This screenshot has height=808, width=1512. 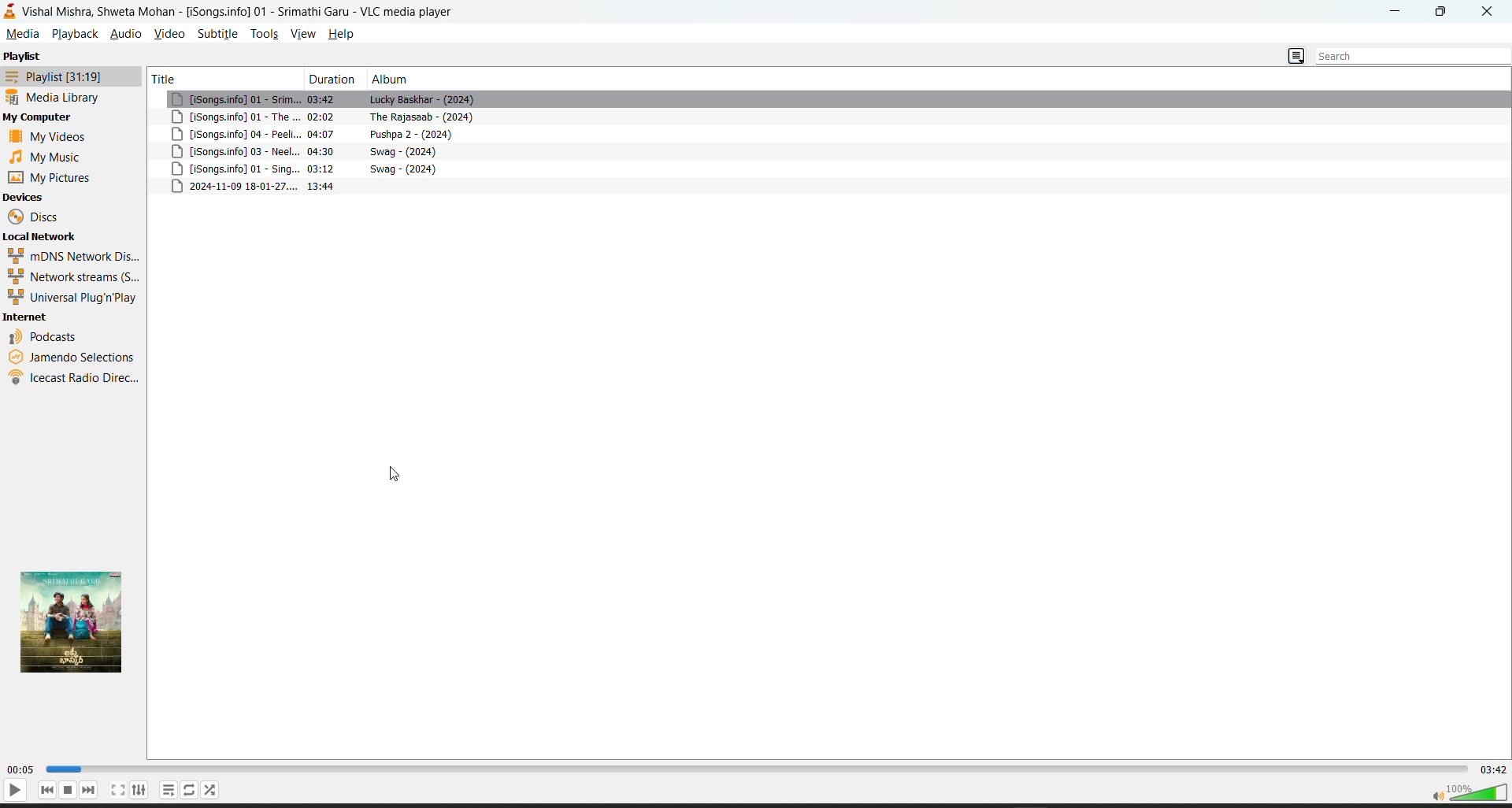 I want to click on thumbnail, so click(x=72, y=622).